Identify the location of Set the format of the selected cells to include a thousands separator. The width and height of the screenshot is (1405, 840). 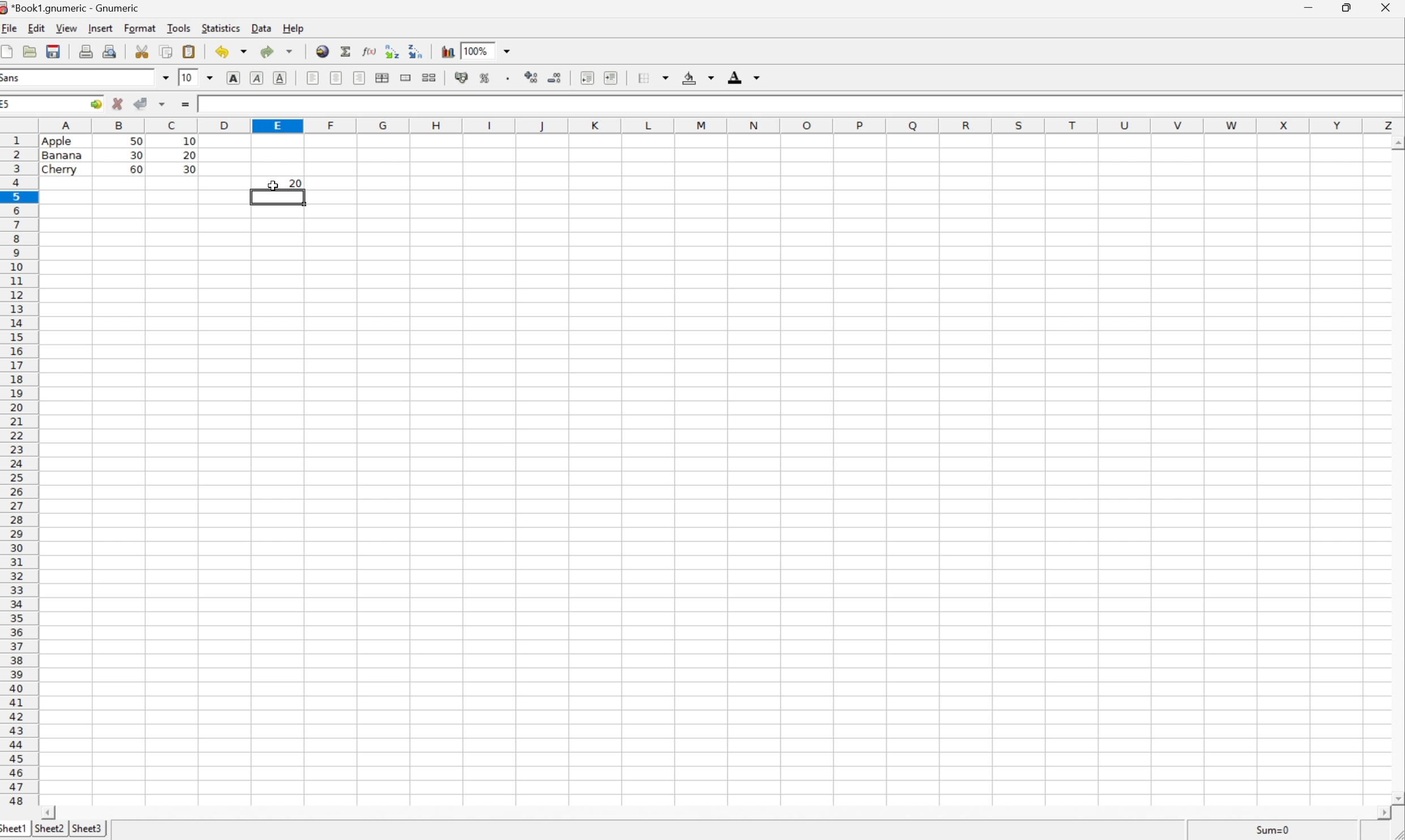
(509, 78).